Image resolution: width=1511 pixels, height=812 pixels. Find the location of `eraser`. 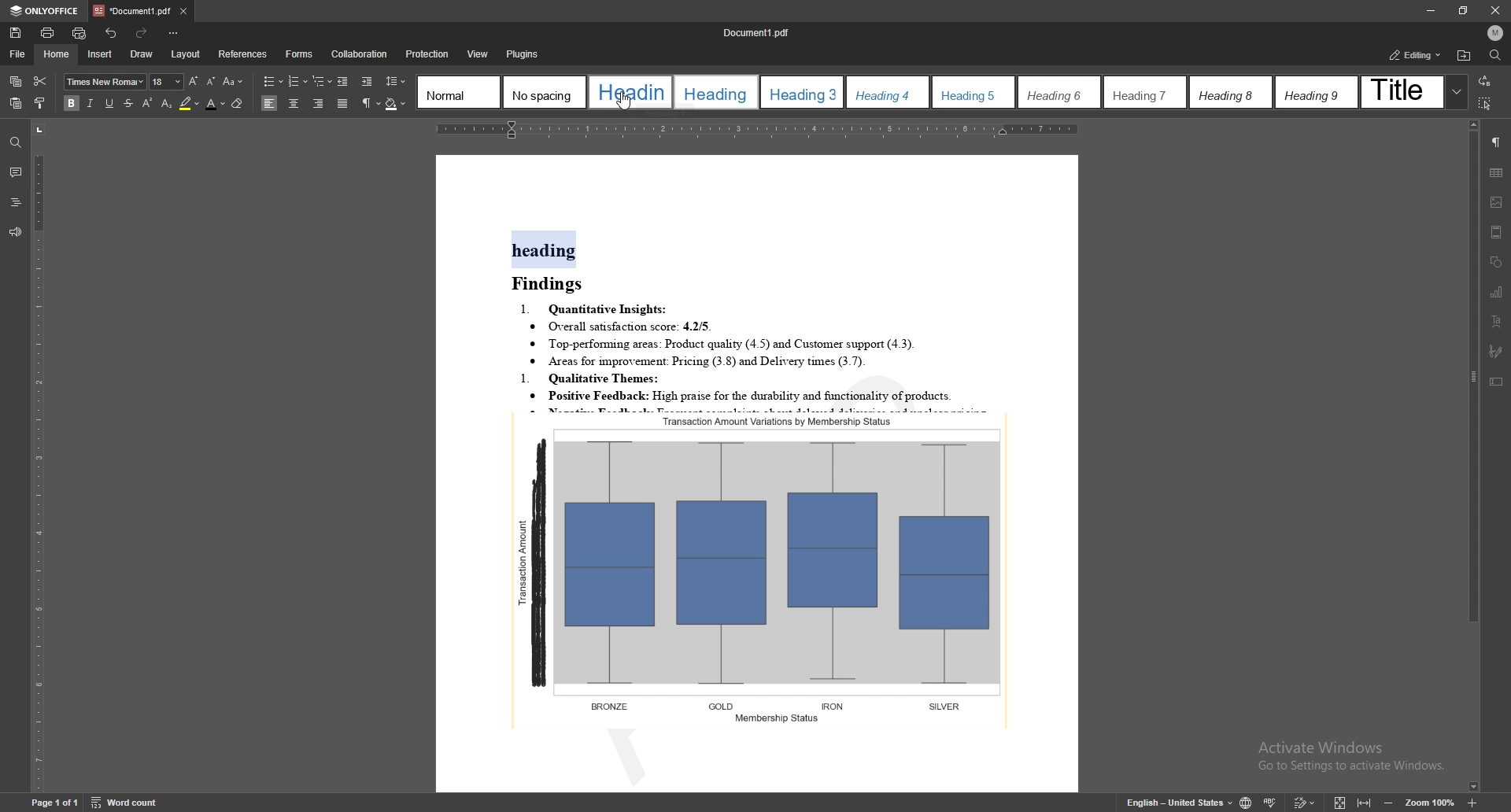

eraser is located at coordinates (238, 103).